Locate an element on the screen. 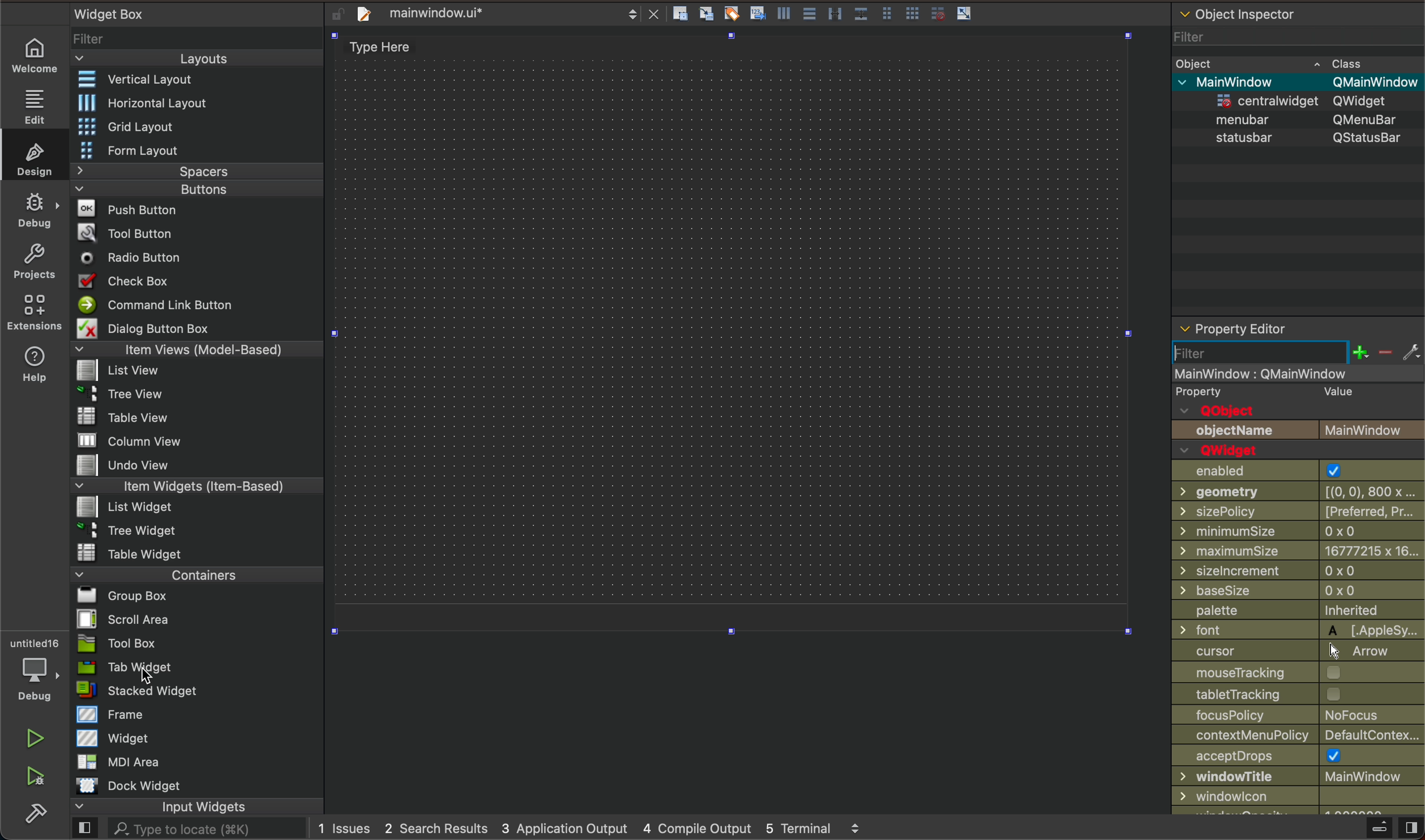  MW column view is located at coordinates (117, 440).